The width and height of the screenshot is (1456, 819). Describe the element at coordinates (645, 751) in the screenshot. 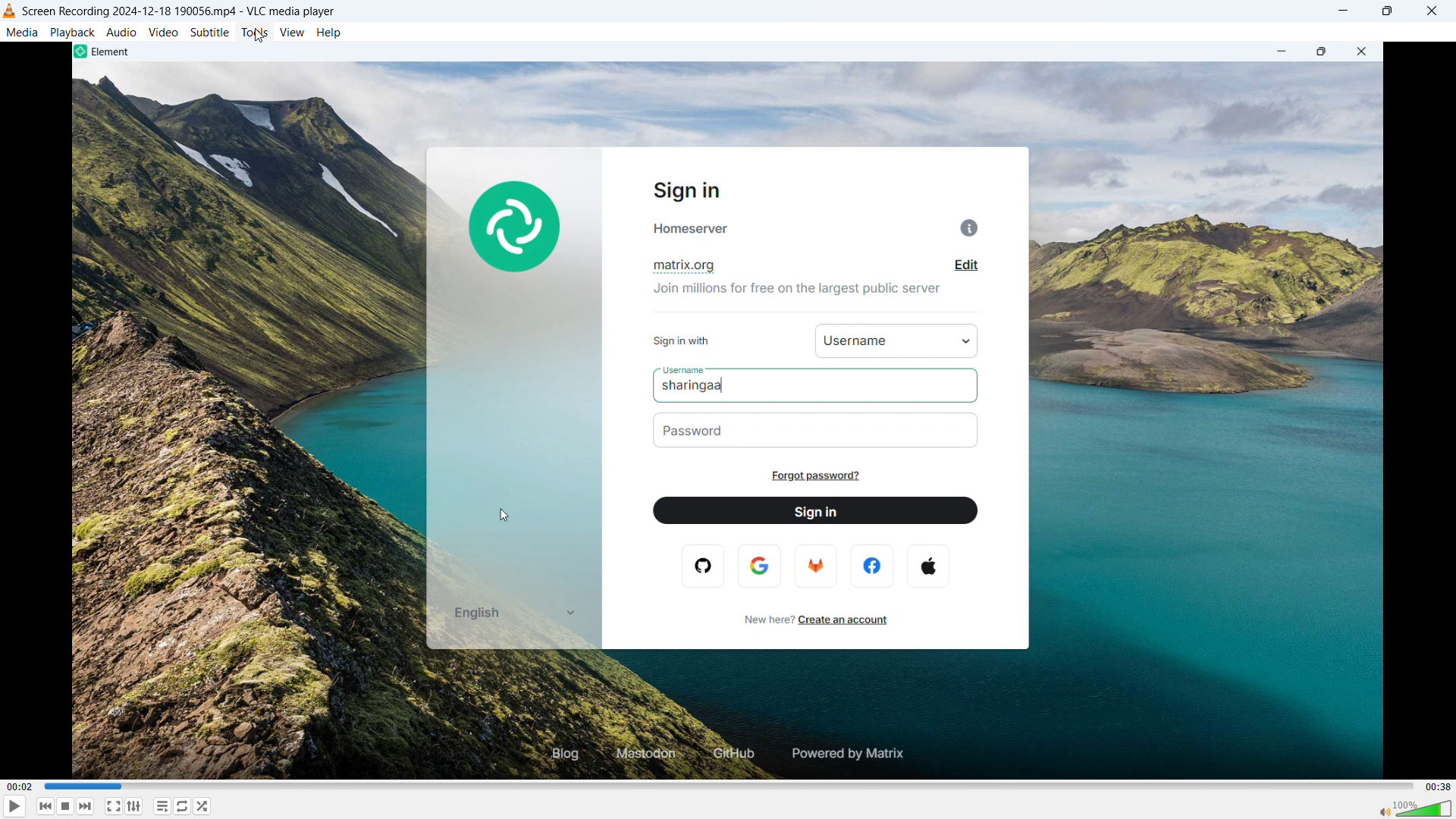

I see `mastodon` at that location.